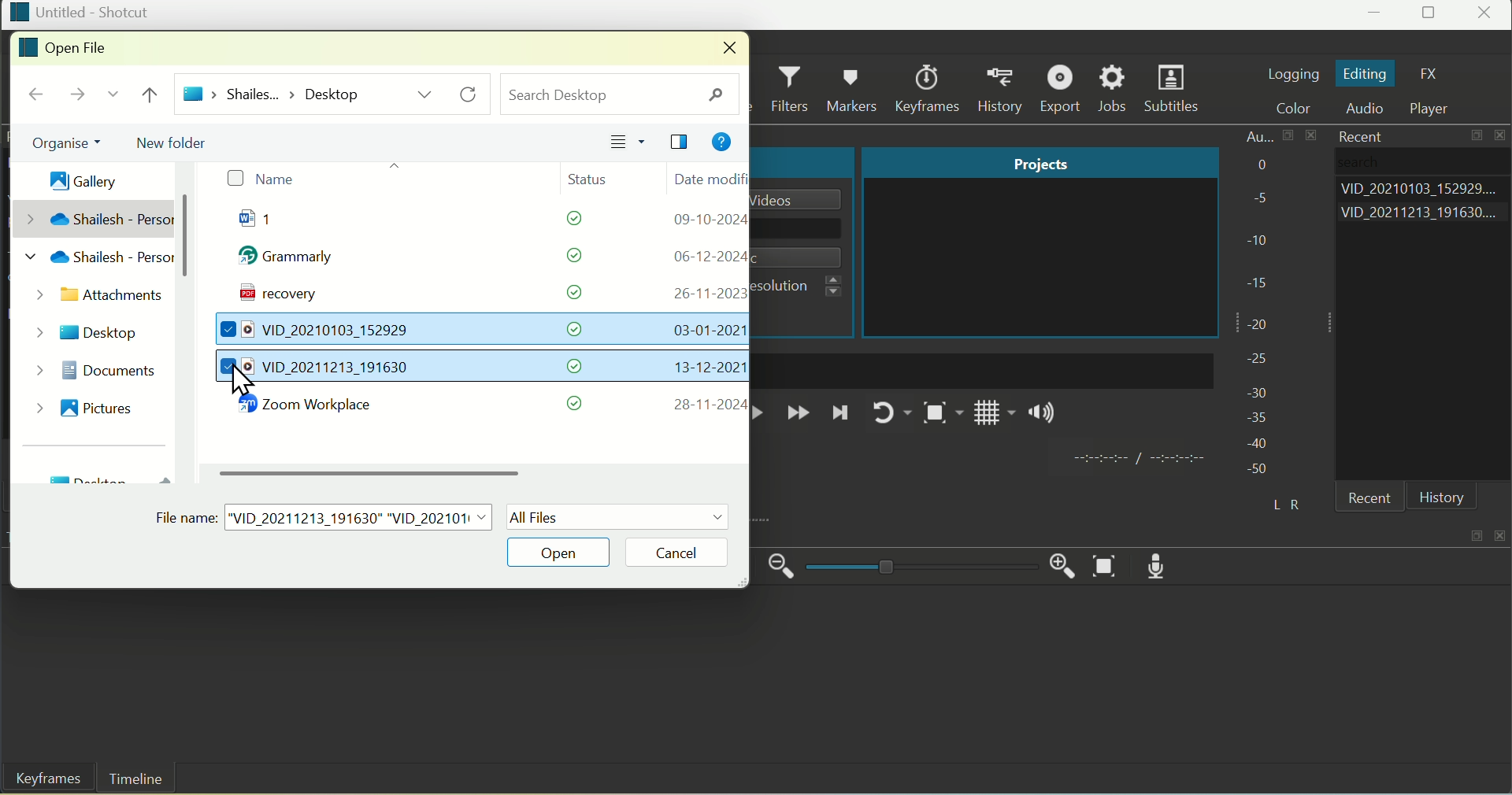  Describe the element at coordinates (294, 260) in the screenshot. I see `Grammarly` at that location.